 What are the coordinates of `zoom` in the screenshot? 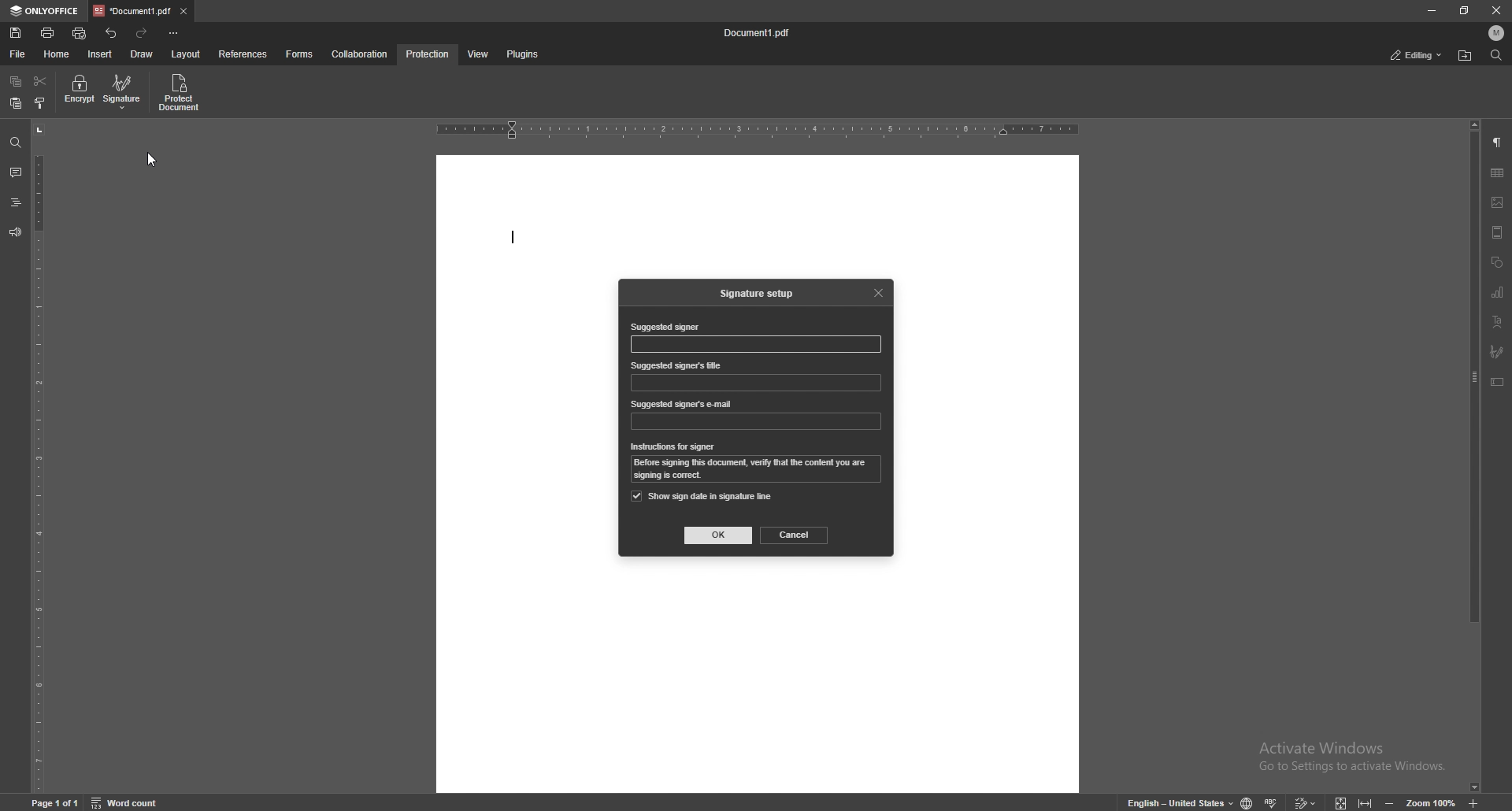 It's located at (1420, 802).